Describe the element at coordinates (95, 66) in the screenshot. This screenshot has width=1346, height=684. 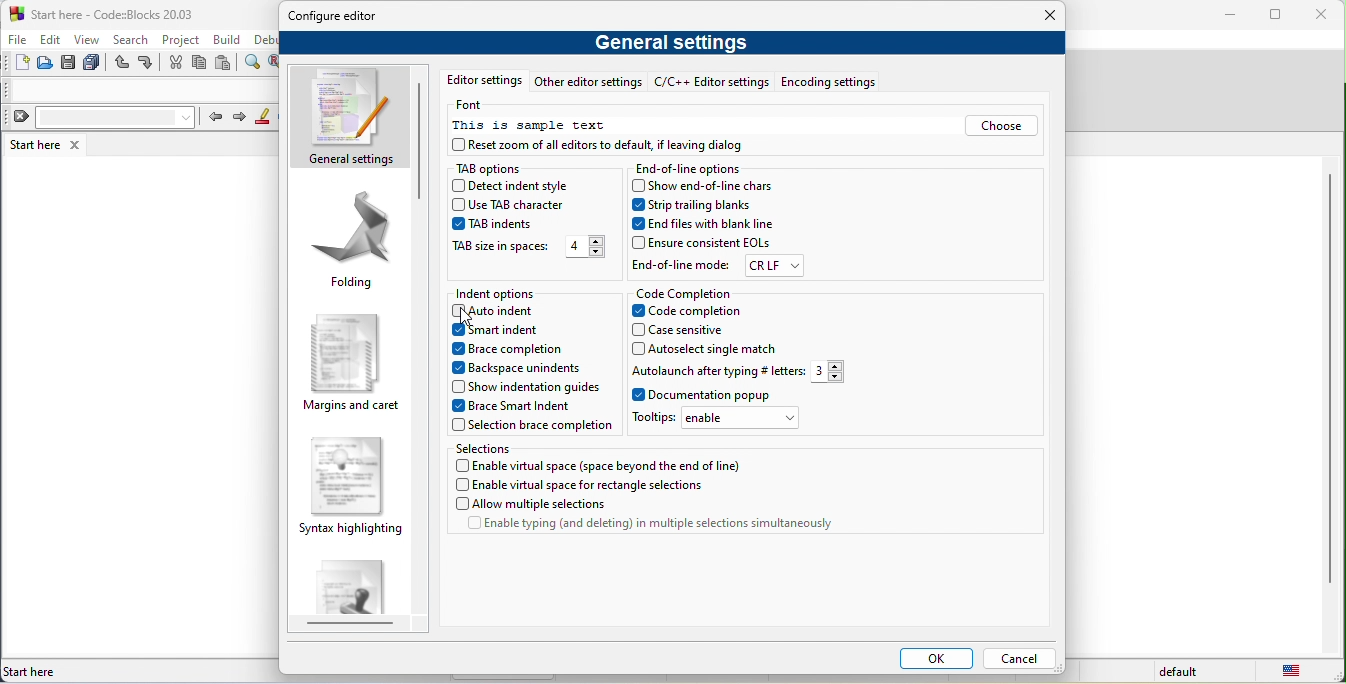
I see `save everything` at that location.